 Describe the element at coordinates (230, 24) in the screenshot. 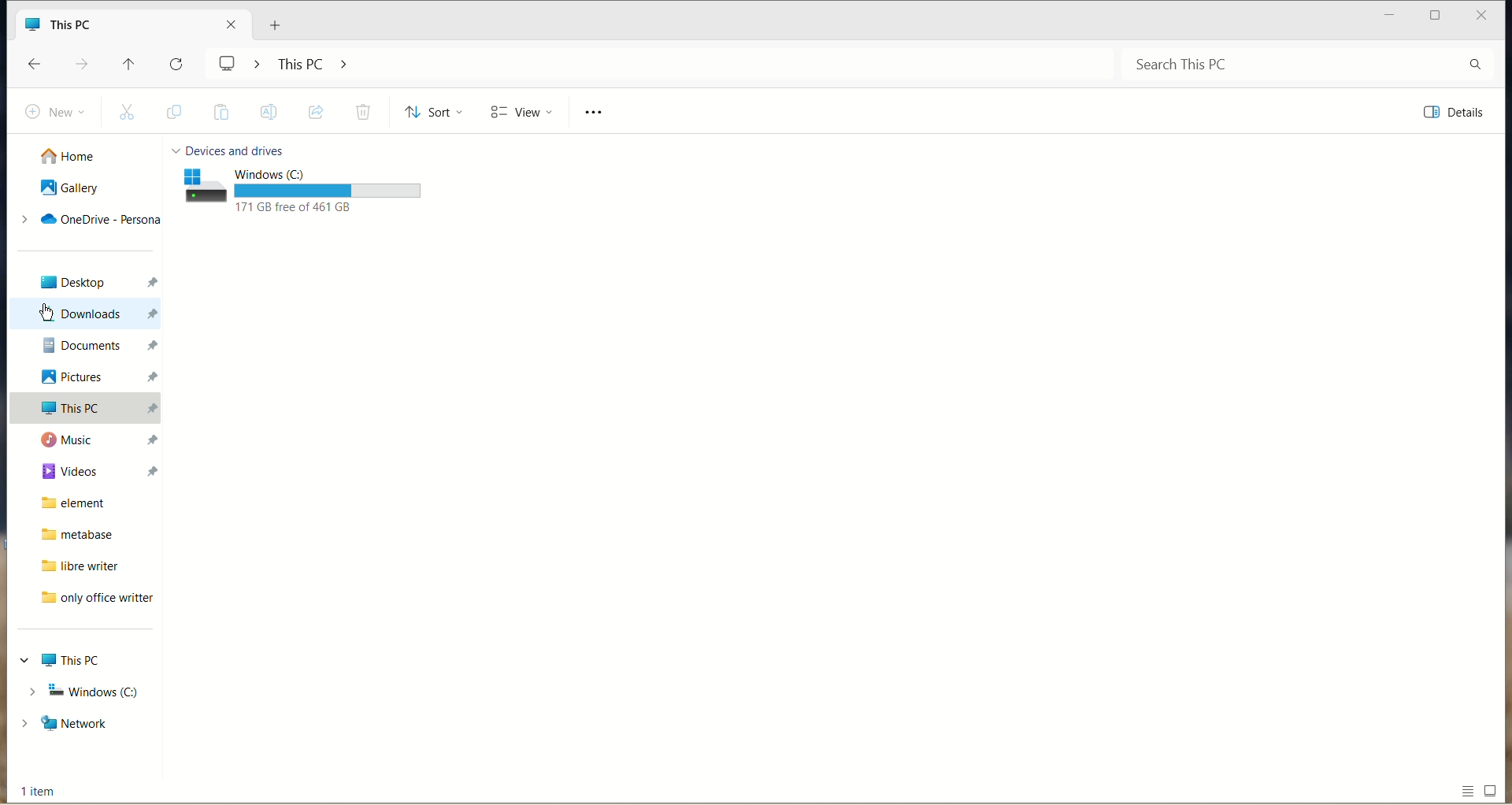

I see `close tab` at that location.